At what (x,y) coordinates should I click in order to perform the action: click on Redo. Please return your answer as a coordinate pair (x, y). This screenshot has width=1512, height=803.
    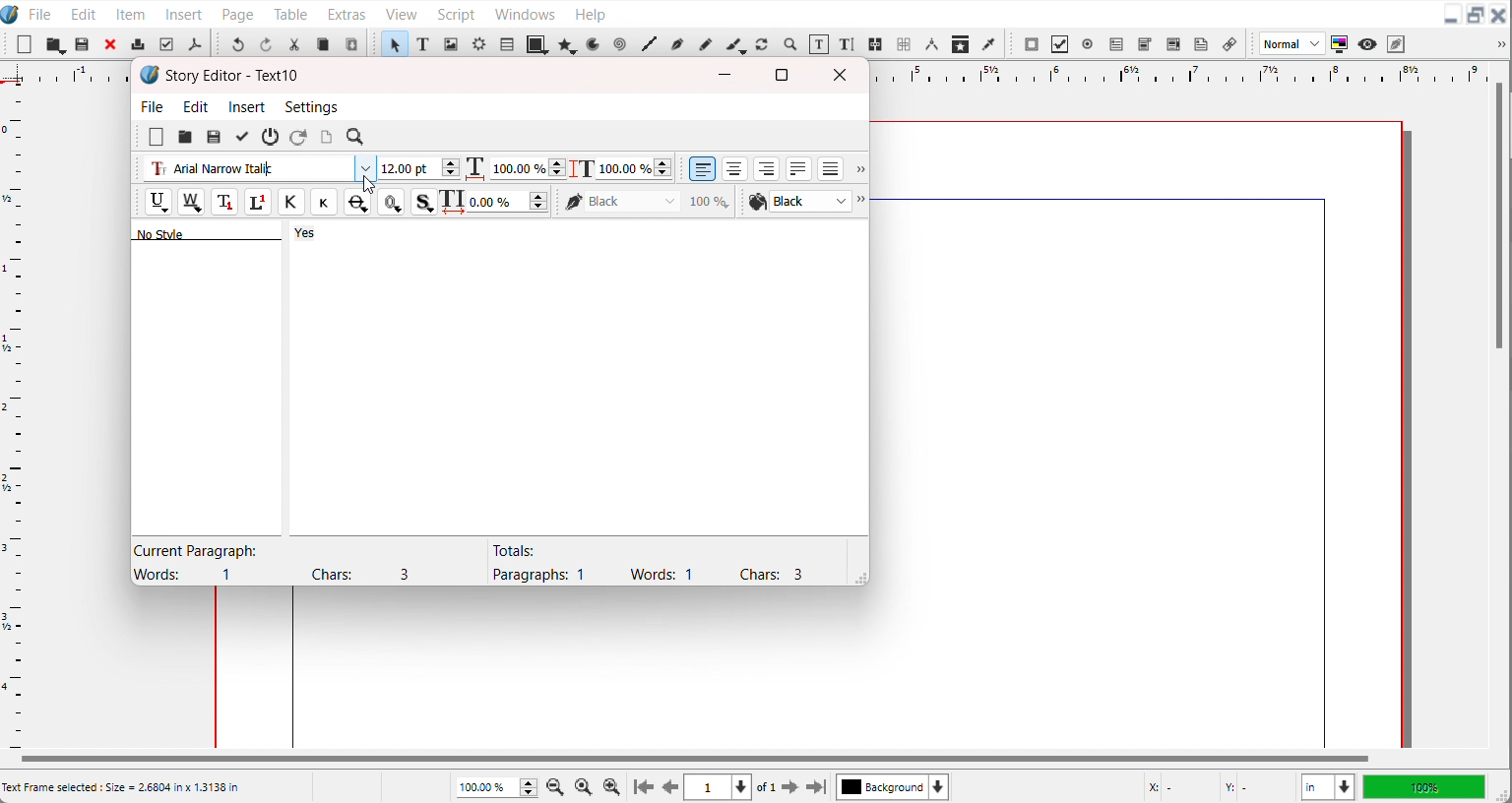
    Looking at the image, I should click on (265, 43).